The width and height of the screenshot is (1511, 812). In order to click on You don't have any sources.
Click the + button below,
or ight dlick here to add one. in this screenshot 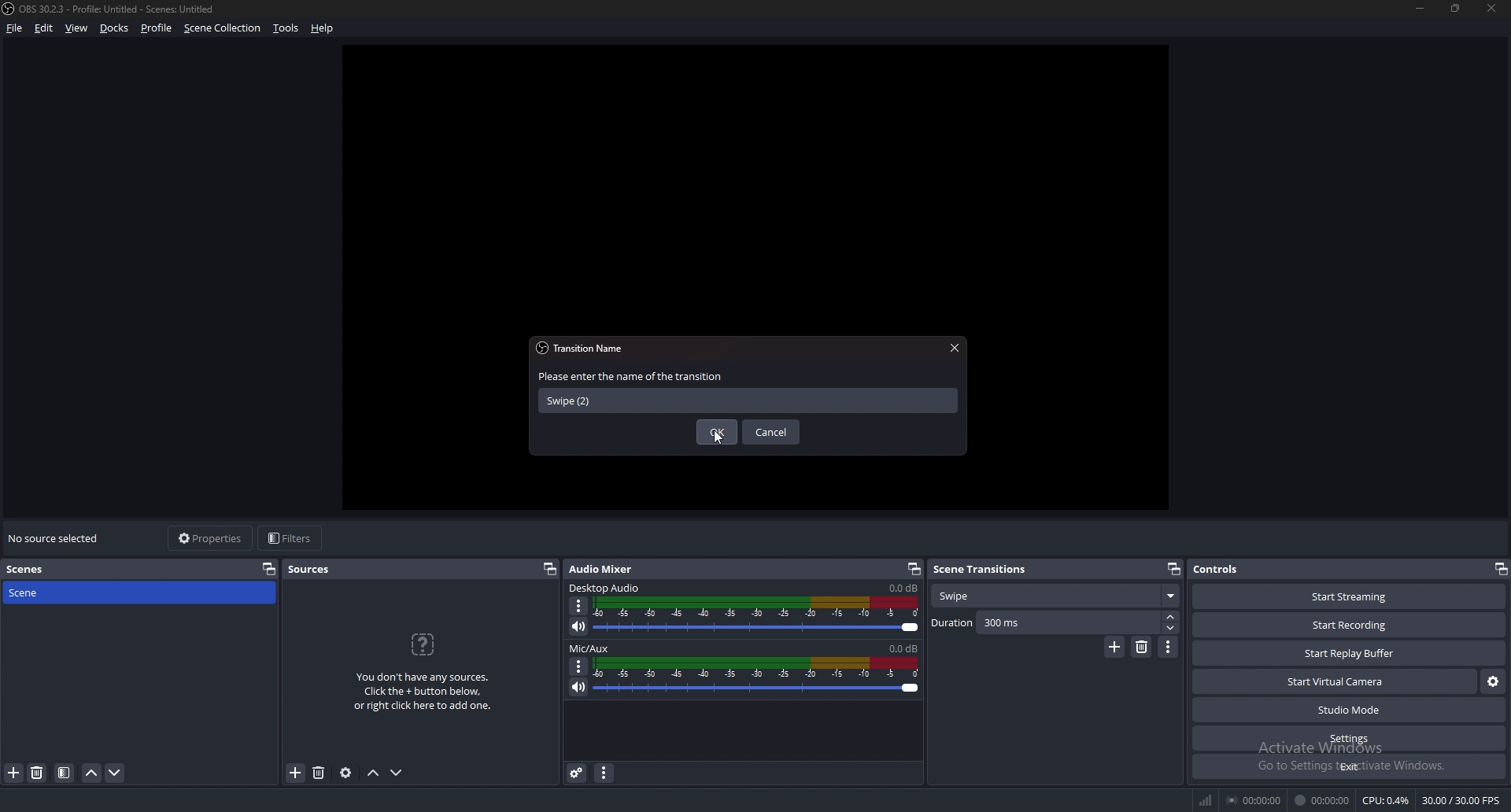, I will do `click(423, 672)`.